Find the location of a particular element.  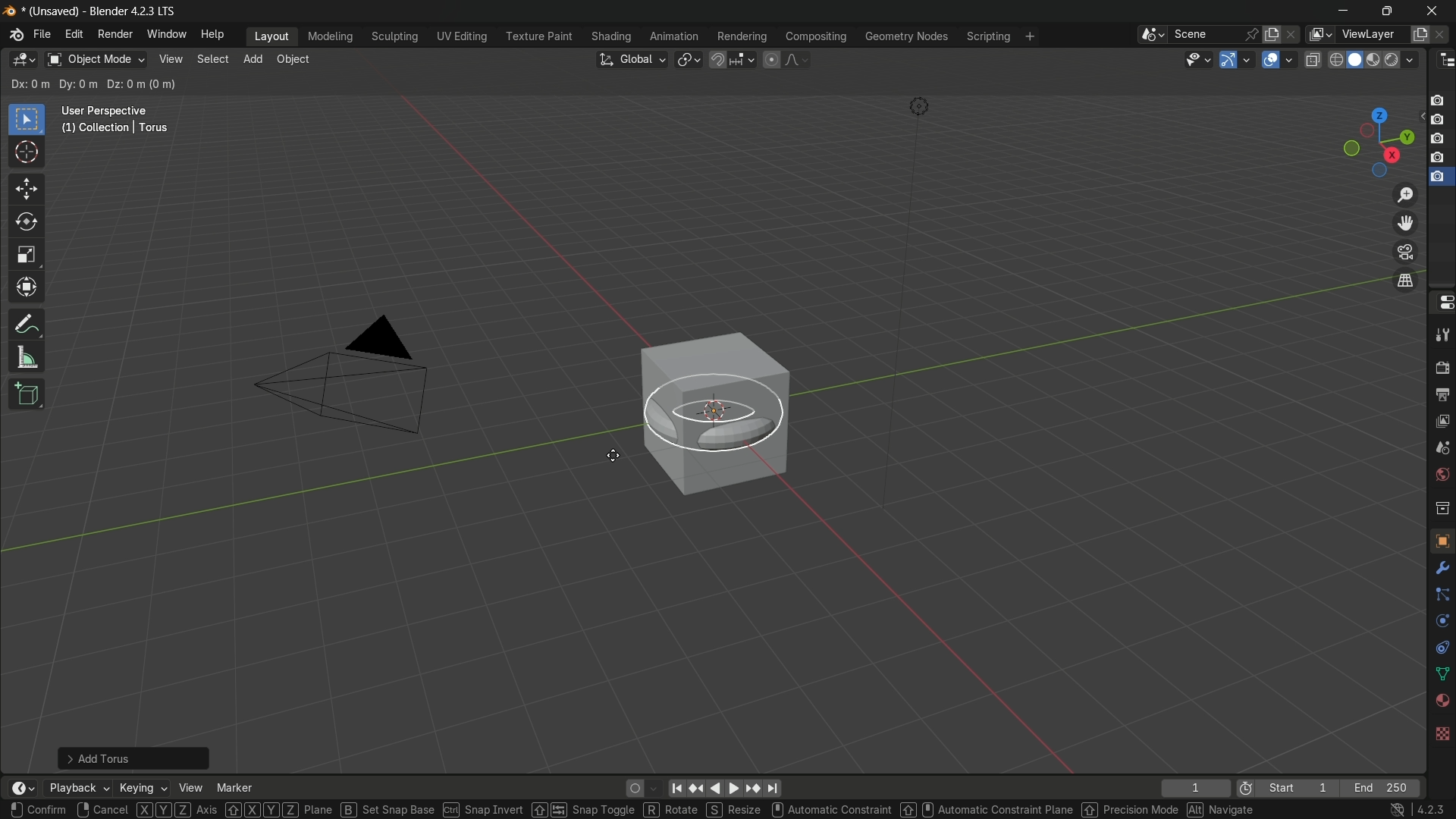

auto keyframe is located at coordinates (653, 789).